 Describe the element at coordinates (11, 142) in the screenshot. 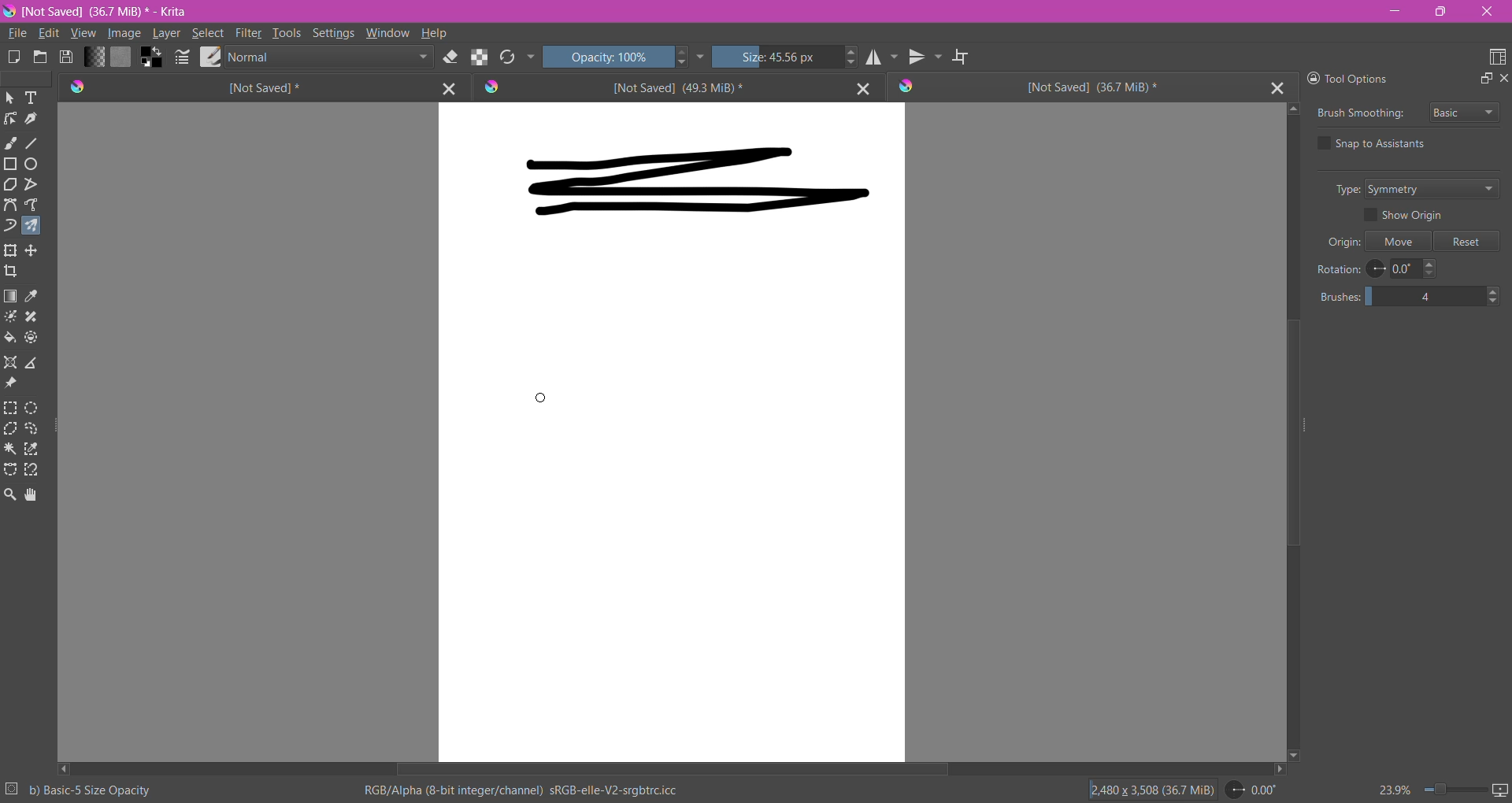

I see `Freehand Brush Tool` at that location.